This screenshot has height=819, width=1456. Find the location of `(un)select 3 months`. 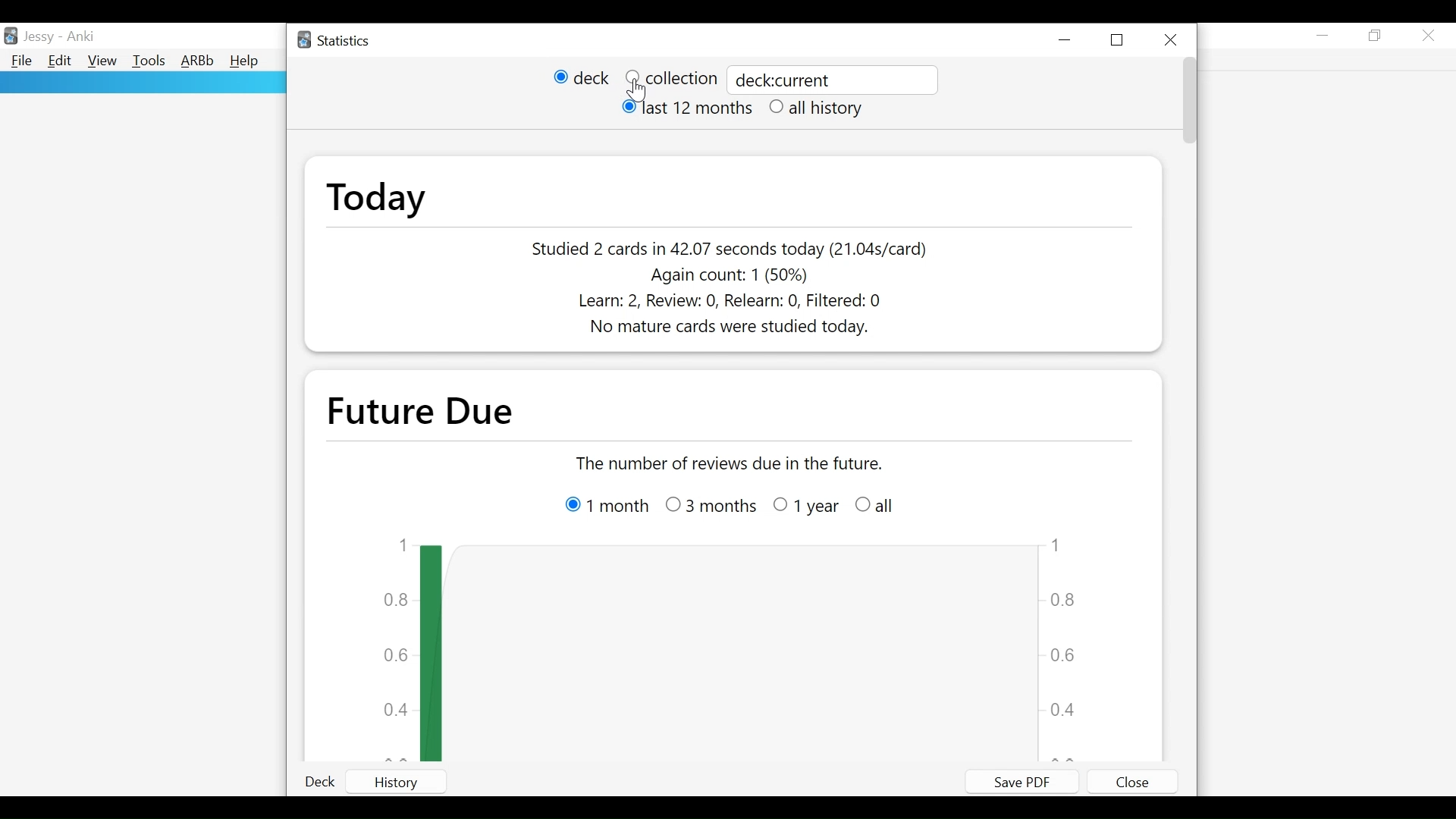

(un)select 3 months is located at coordinates (712, 507).